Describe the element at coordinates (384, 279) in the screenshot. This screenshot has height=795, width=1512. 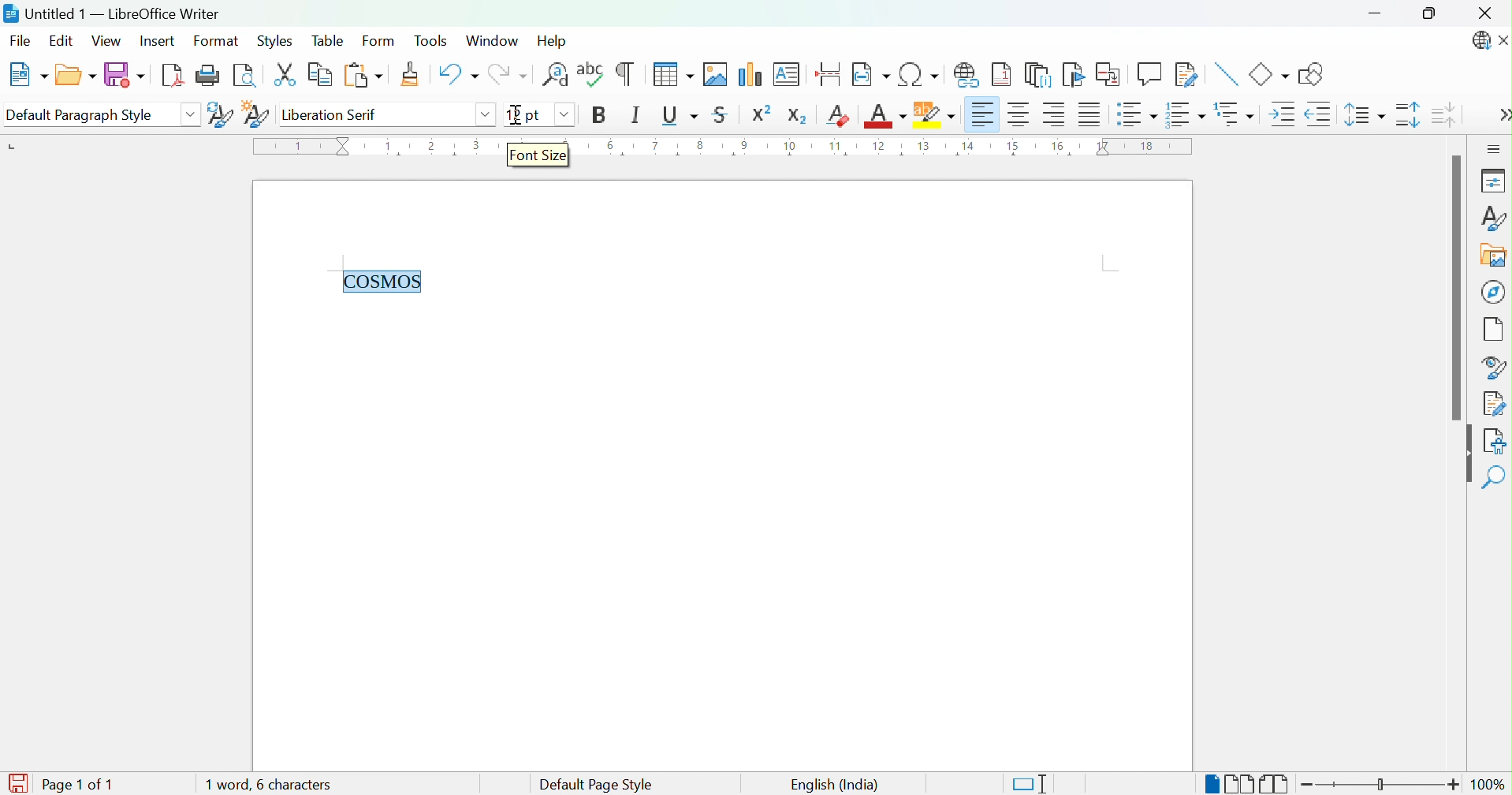
I see `COSMOS` at that location.